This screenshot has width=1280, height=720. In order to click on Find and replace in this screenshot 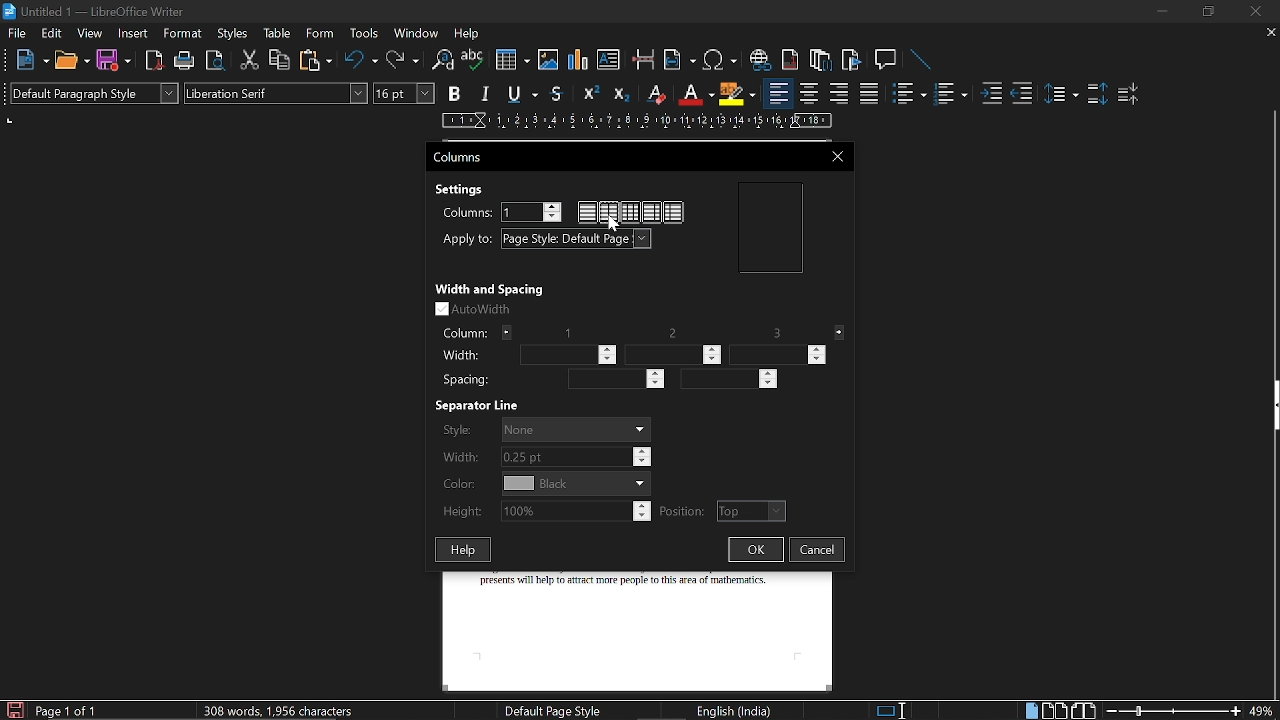, I will do `click(443, 62)`.